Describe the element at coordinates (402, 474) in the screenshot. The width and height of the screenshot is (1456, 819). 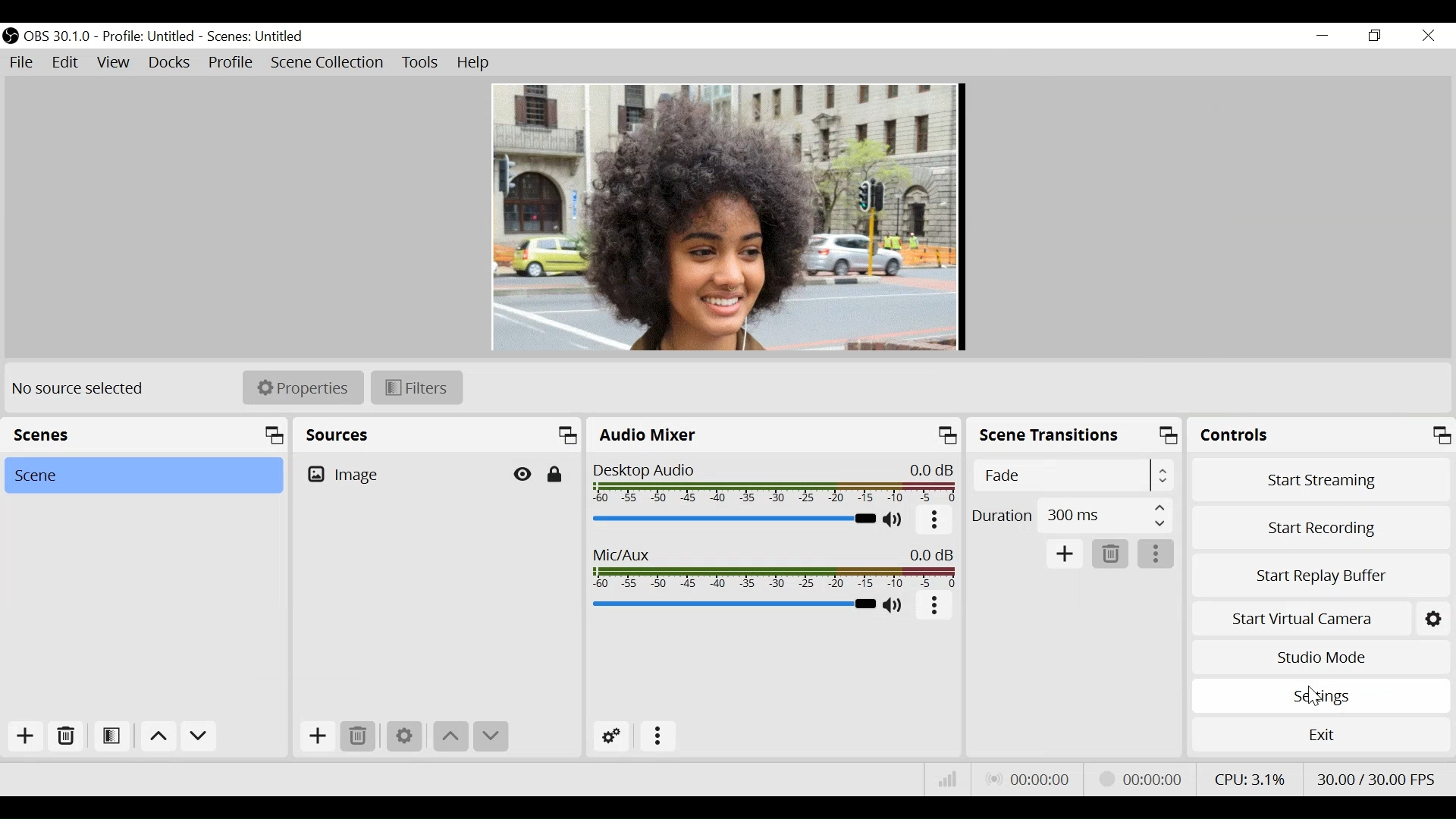
I see `Image` at that location.